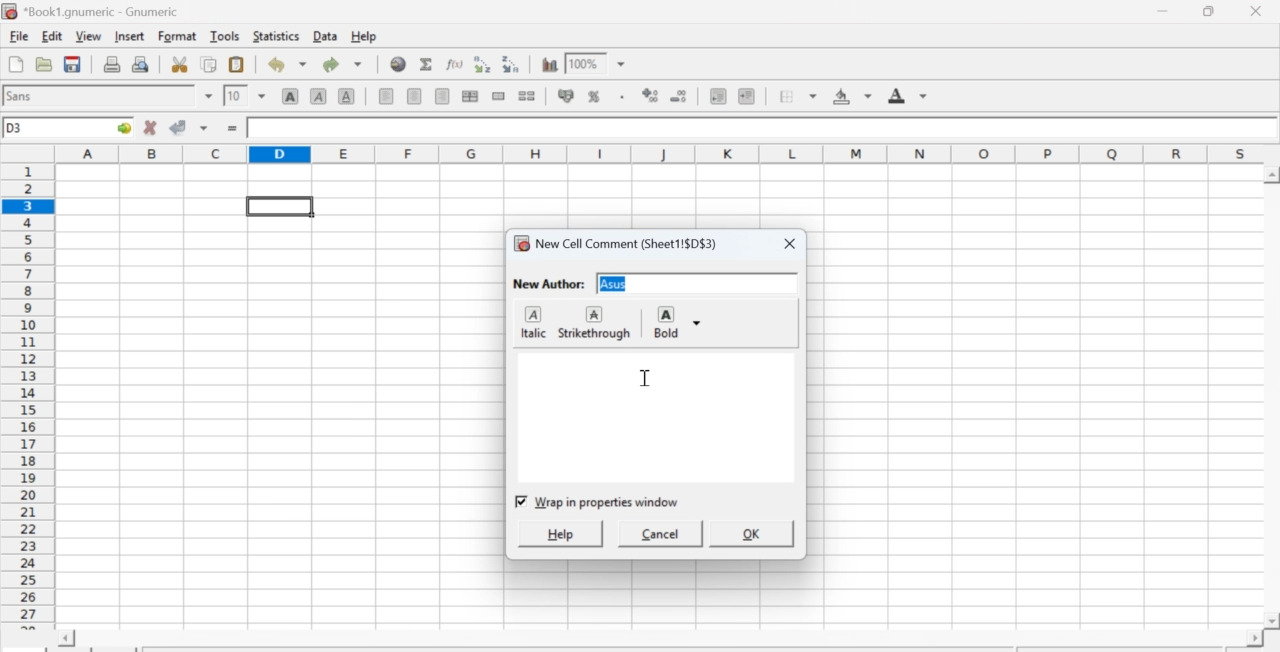 The height and width of the screenshot is (652, 1280). I want to click on scroll down, so click(1272, 622).